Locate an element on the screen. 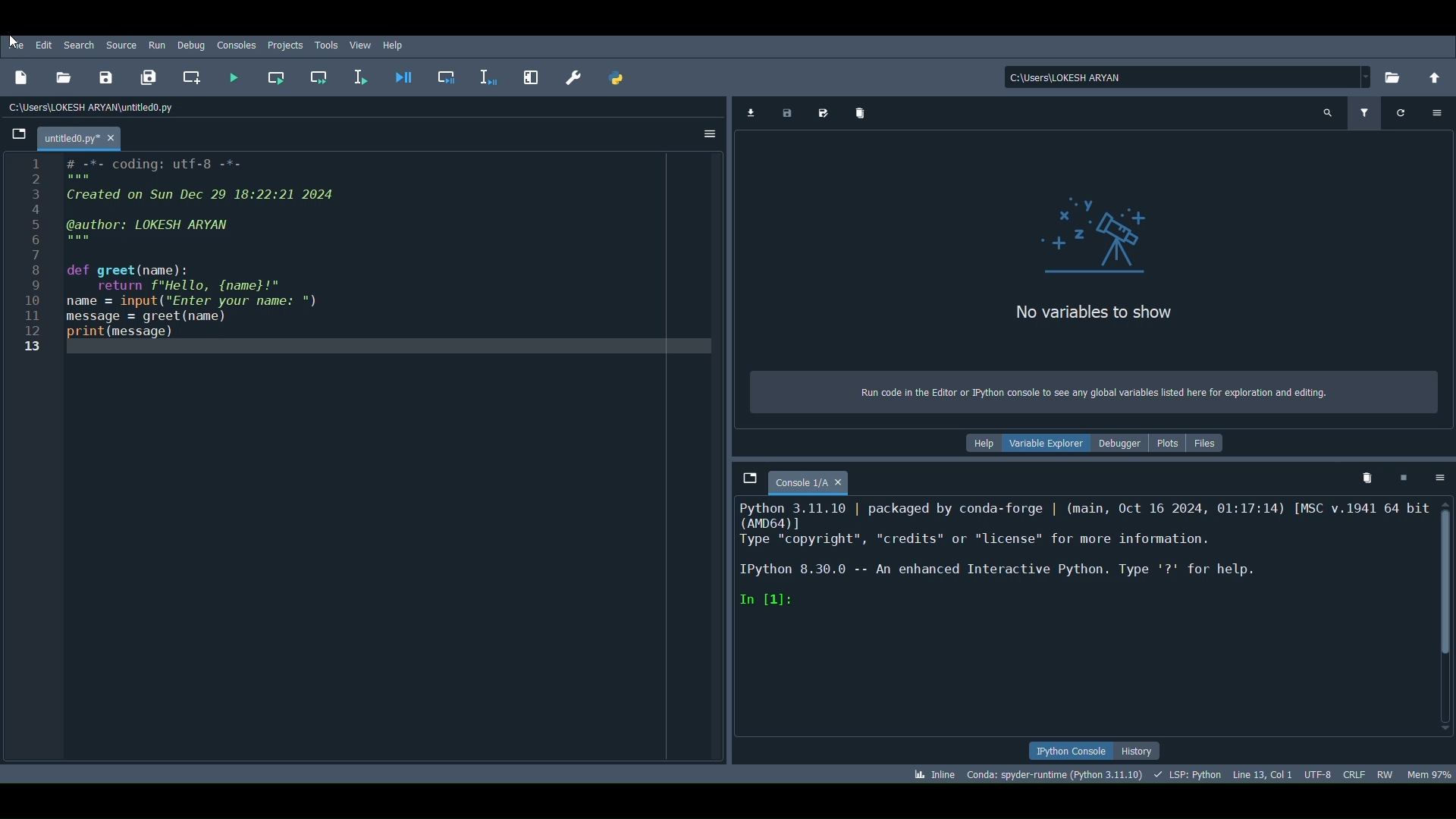 The width and height of the screenshot is (1456, 819). Filename is located at coordinates (81, 135).